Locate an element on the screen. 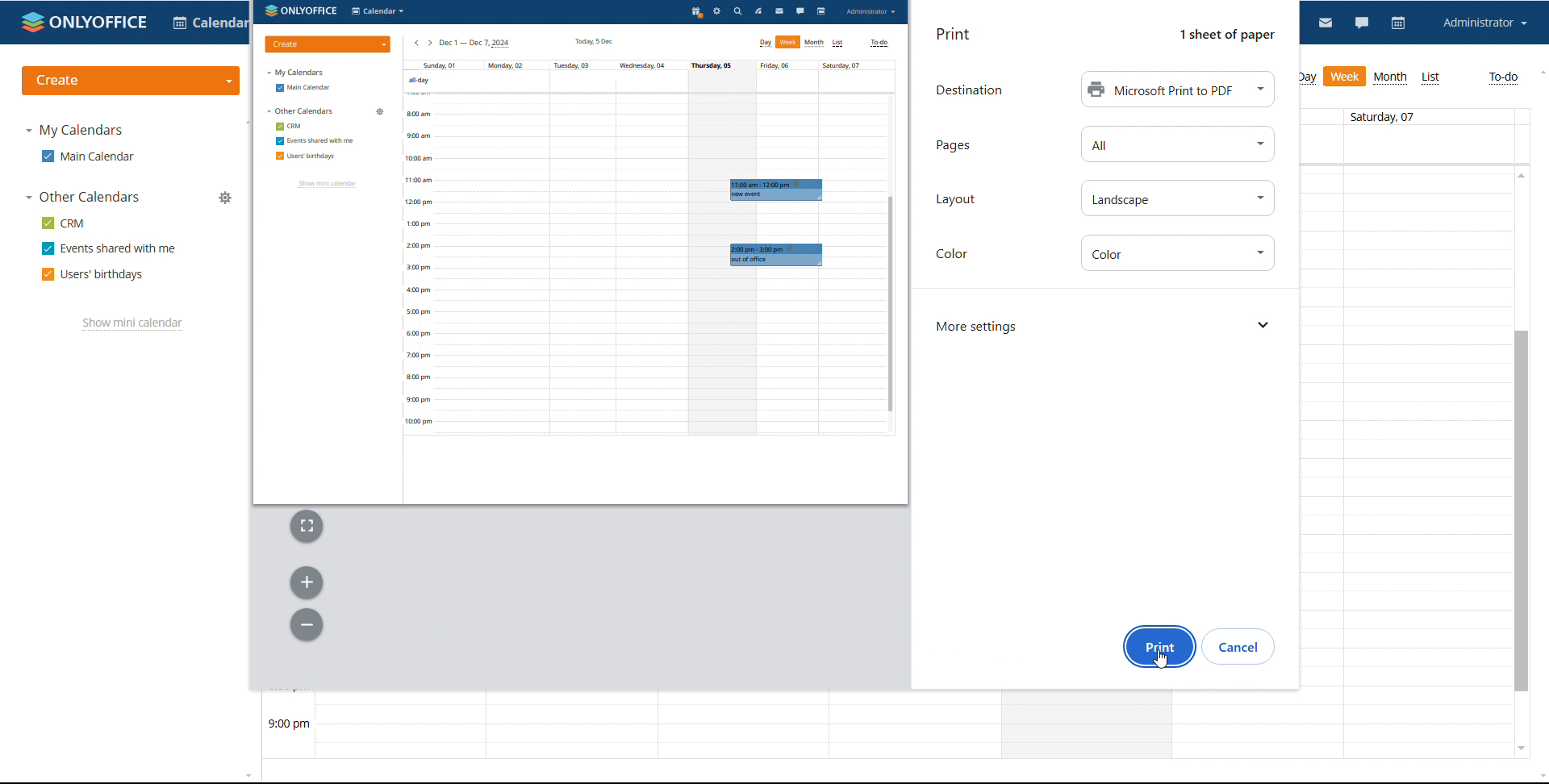 The image size is (1549, 784). to-do is located at coordinates (1504, 78).